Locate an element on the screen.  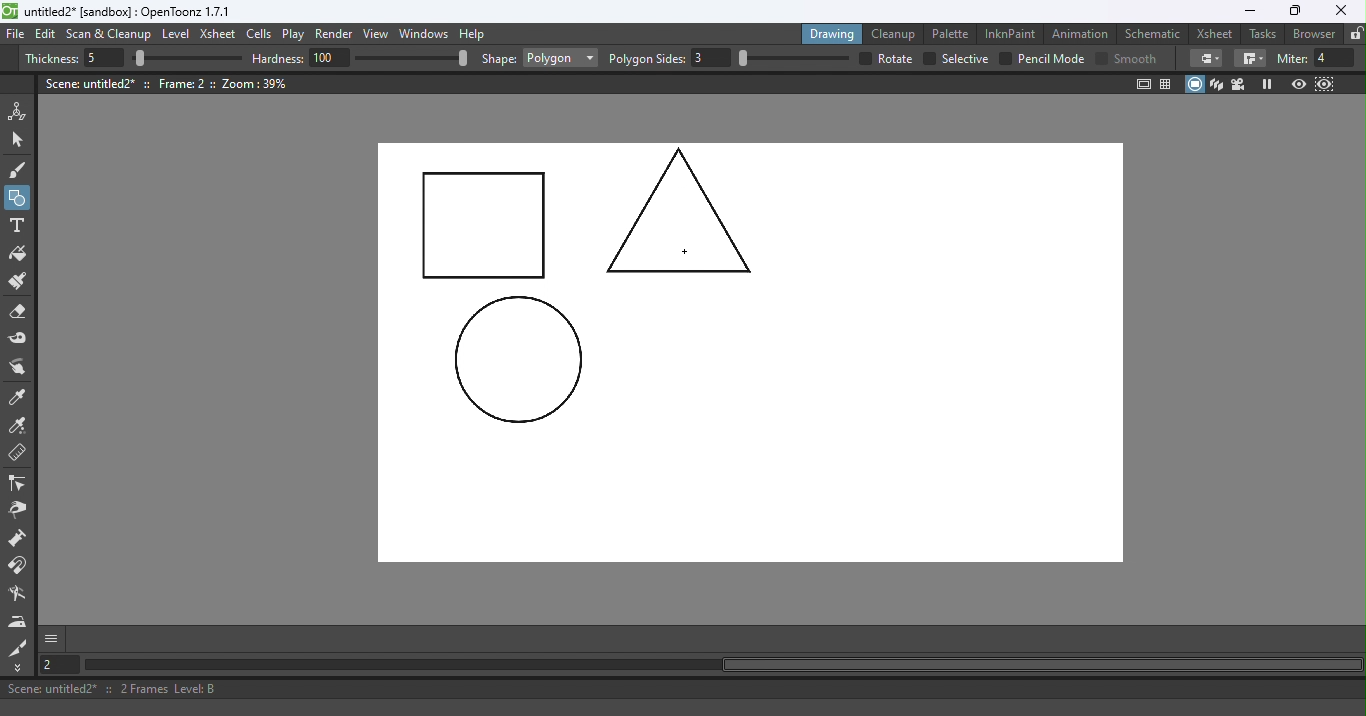
miter is located at coordinates (1291, 58).